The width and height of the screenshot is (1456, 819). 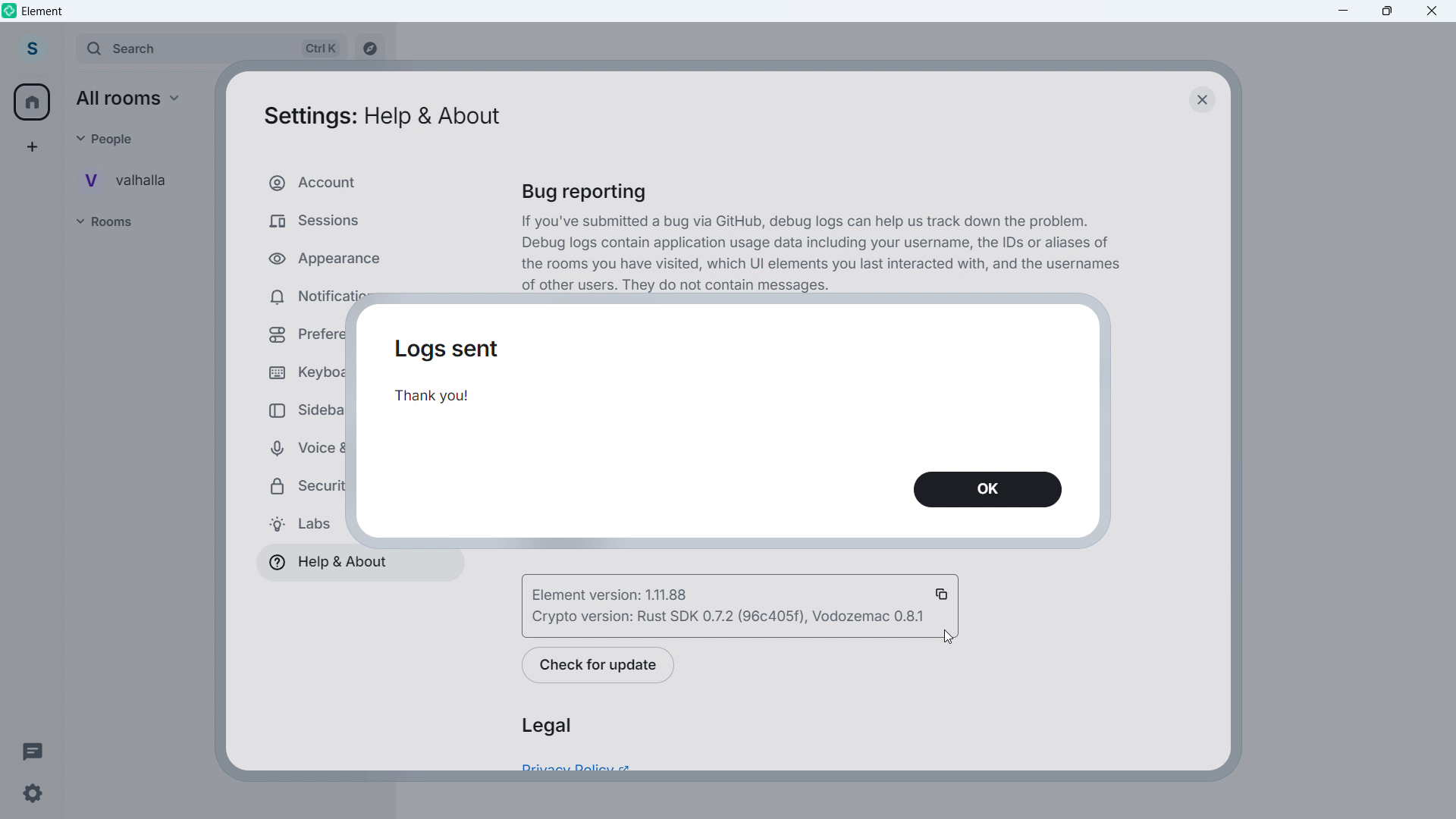 I want to click on Account , so click(x=350, y=183).